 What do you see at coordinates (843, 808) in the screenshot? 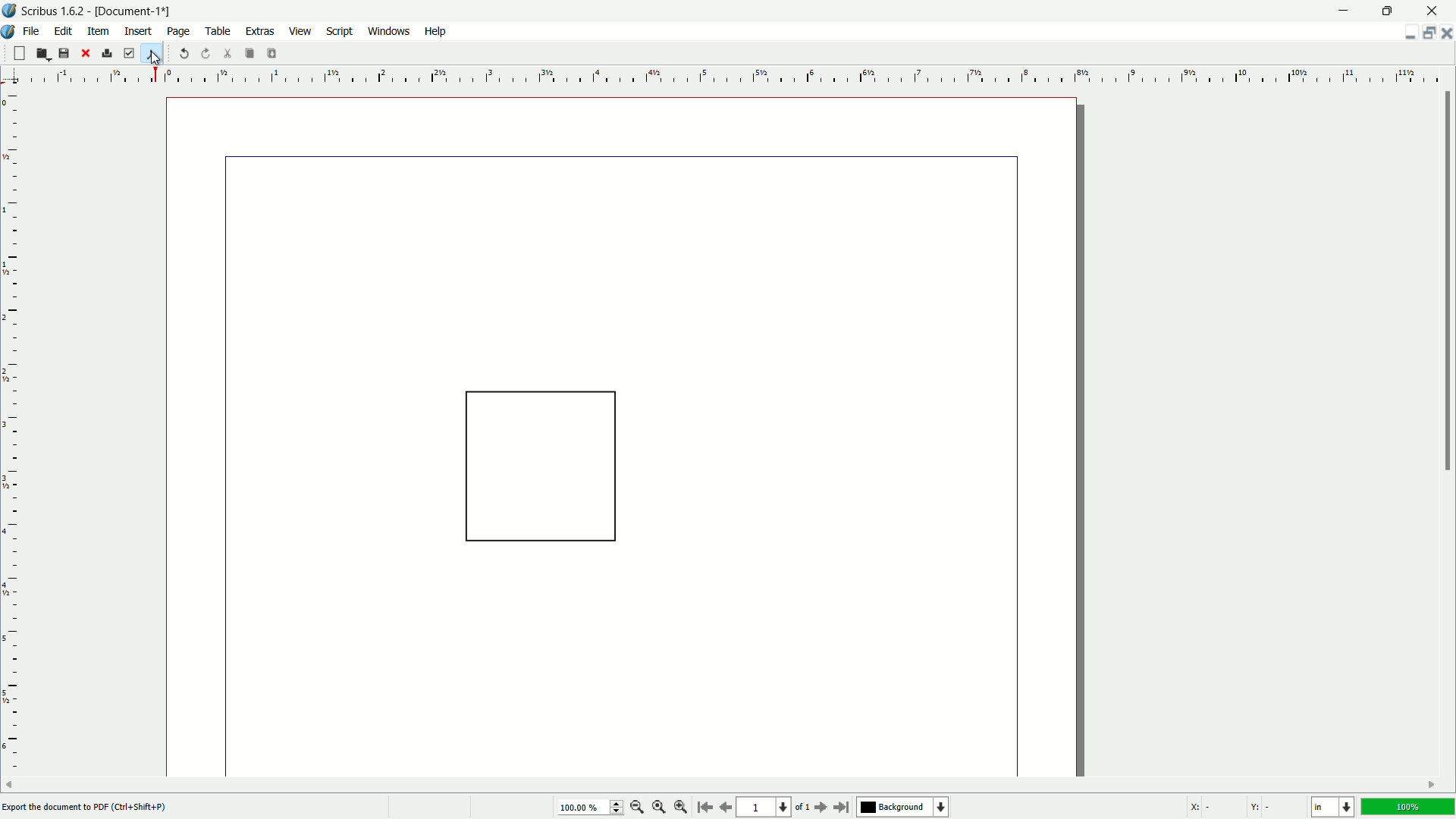
I see `go to last page` at bounding box center [843, 808].